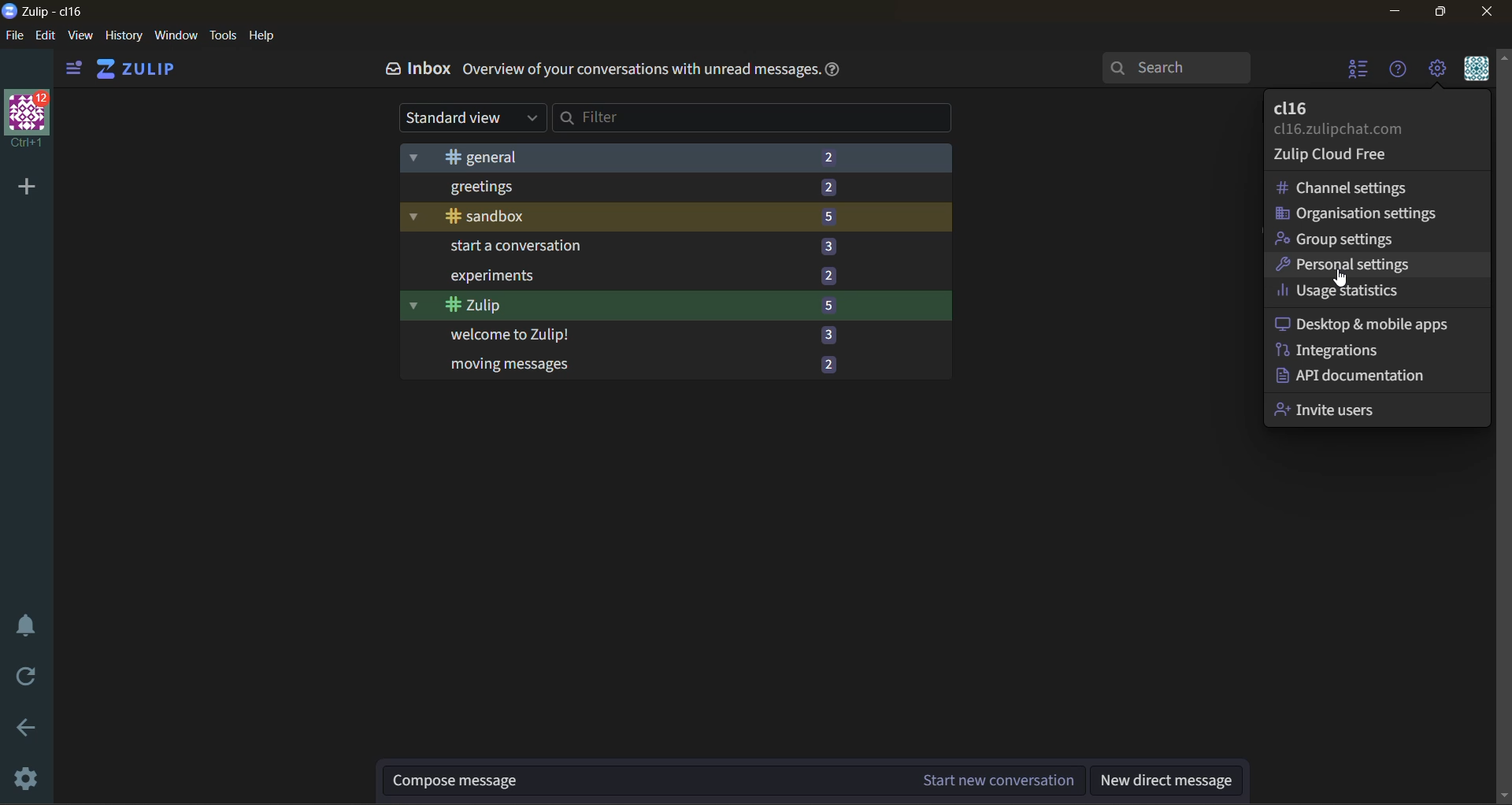 The width and height of the screenshot is (1512, 805). Describe the element at coordinates (145, 69) in the screenshot. I see `home` at that location.